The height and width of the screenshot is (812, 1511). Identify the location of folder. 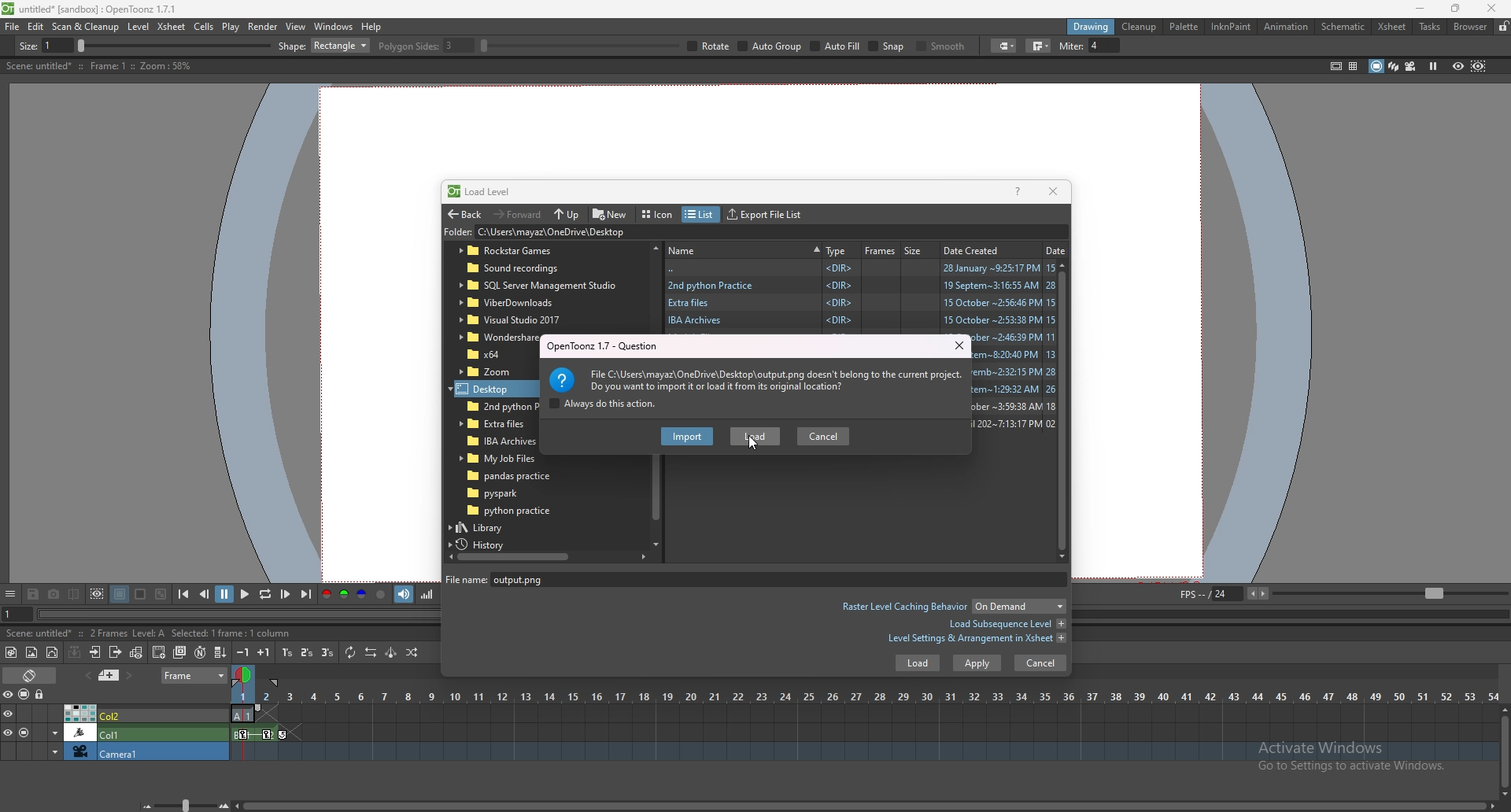
(492, 371).